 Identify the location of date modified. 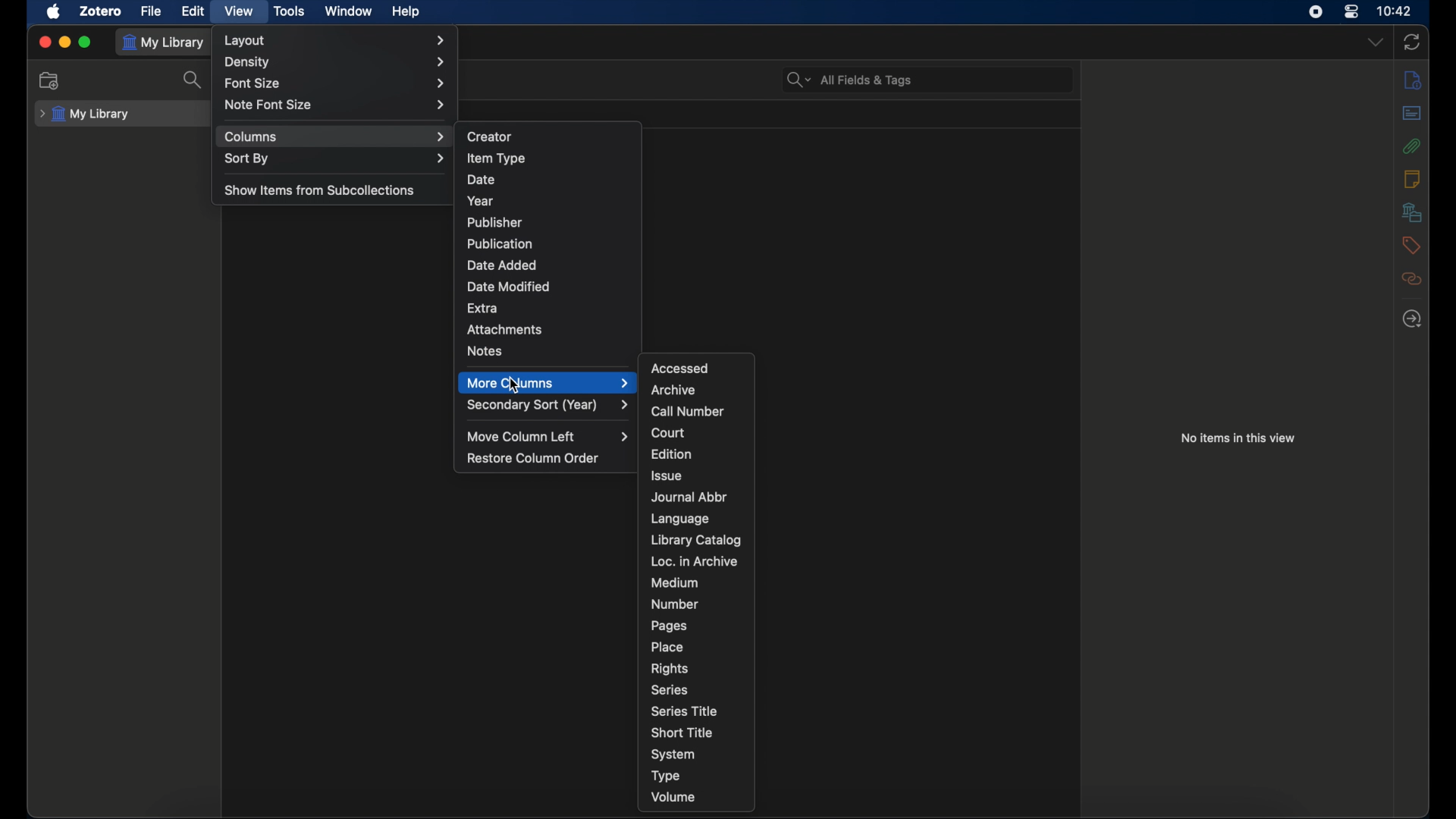
(510, 286).